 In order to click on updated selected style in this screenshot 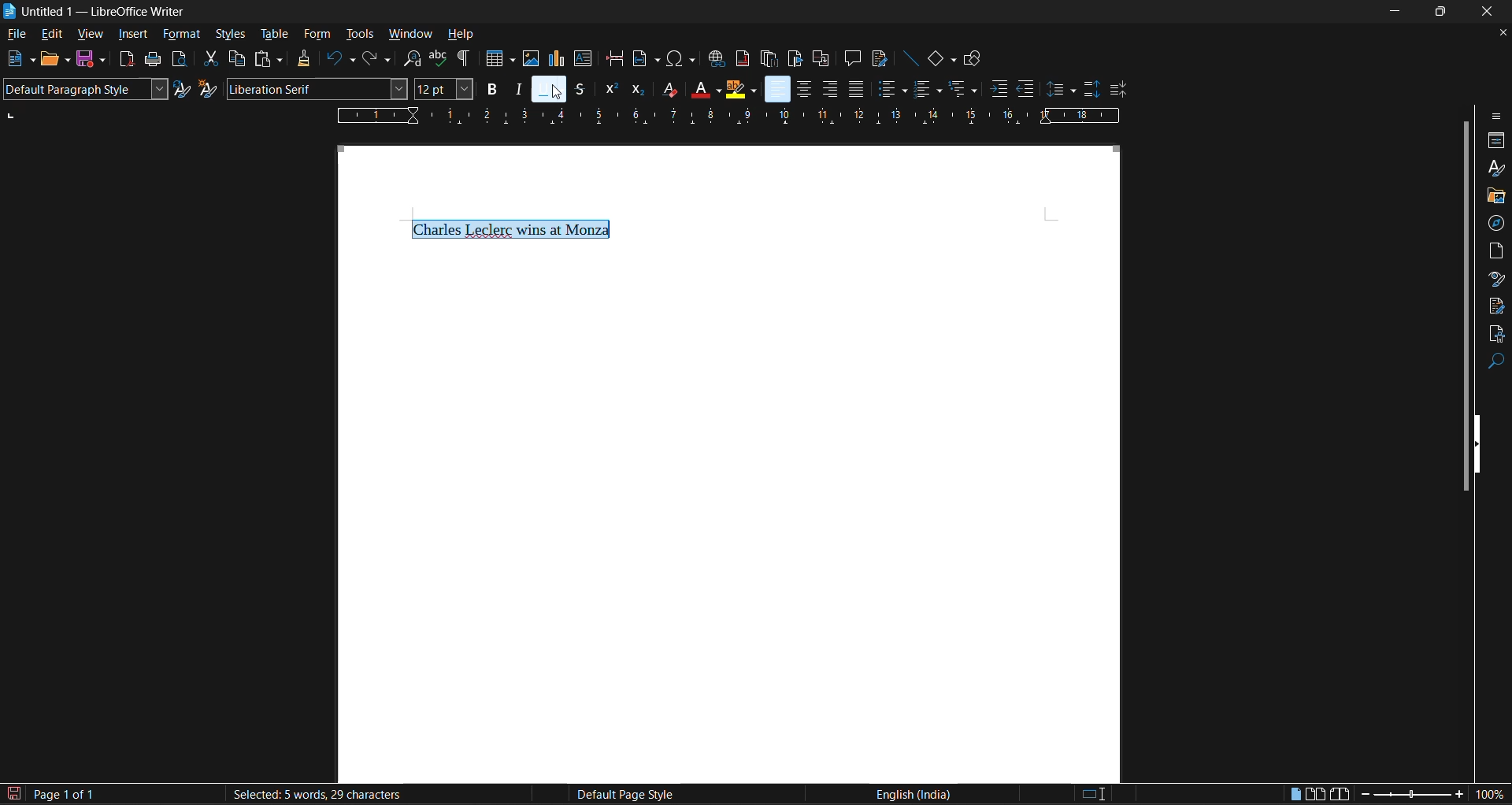, I will do `click(183, 89)`.